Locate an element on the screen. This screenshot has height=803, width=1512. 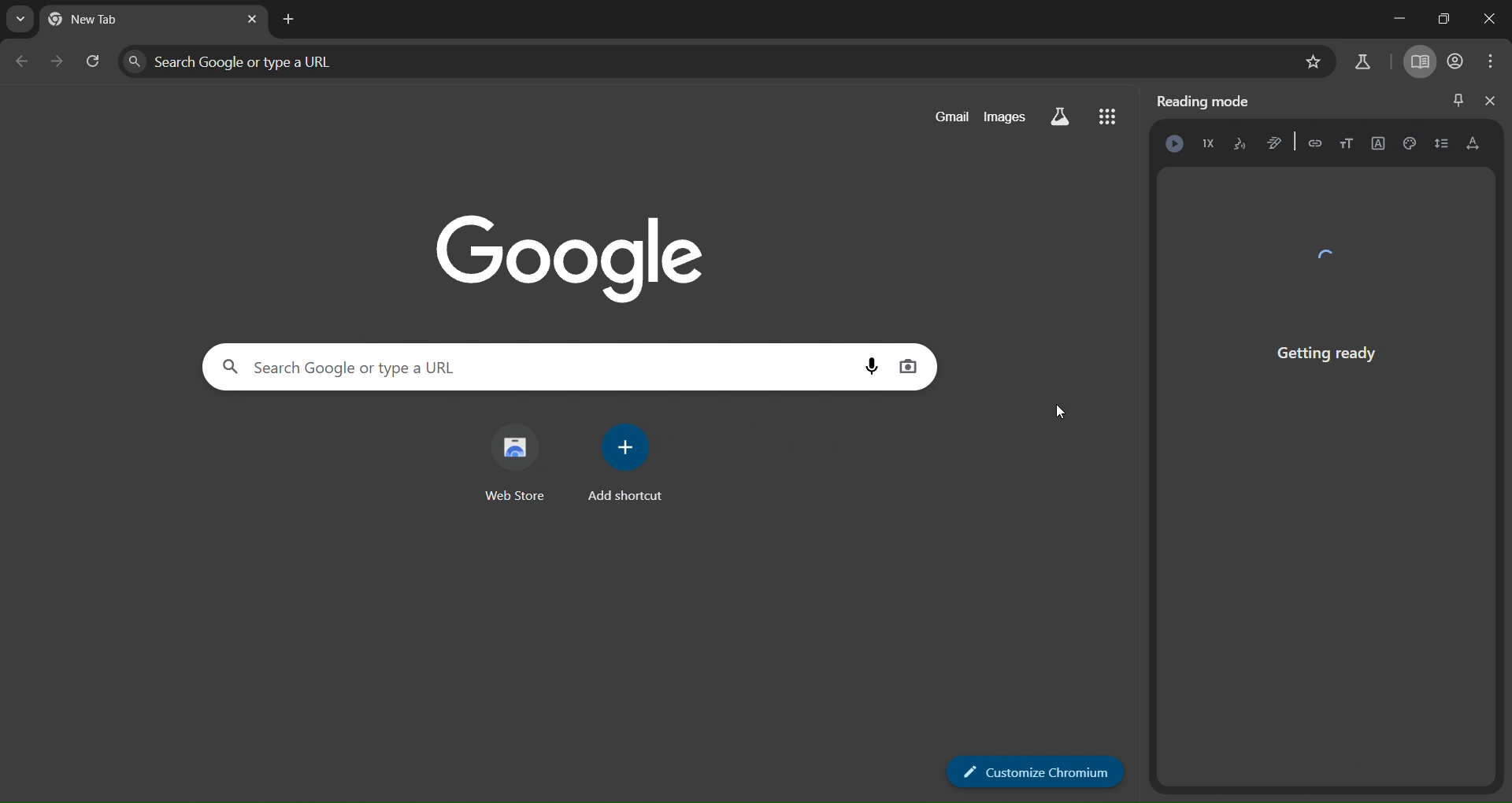
letter spacing is located at coordinates (1471, 144).